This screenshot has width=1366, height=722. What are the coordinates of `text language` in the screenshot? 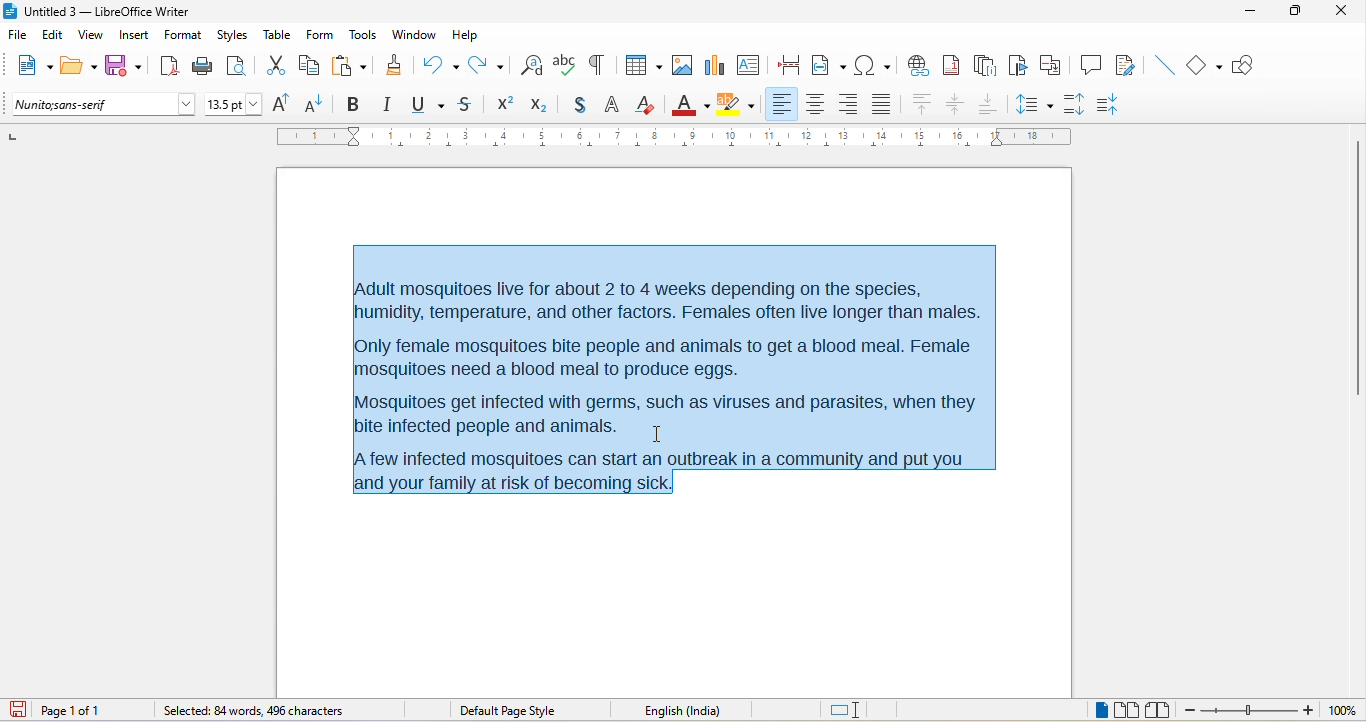 It's located at (710, 710).